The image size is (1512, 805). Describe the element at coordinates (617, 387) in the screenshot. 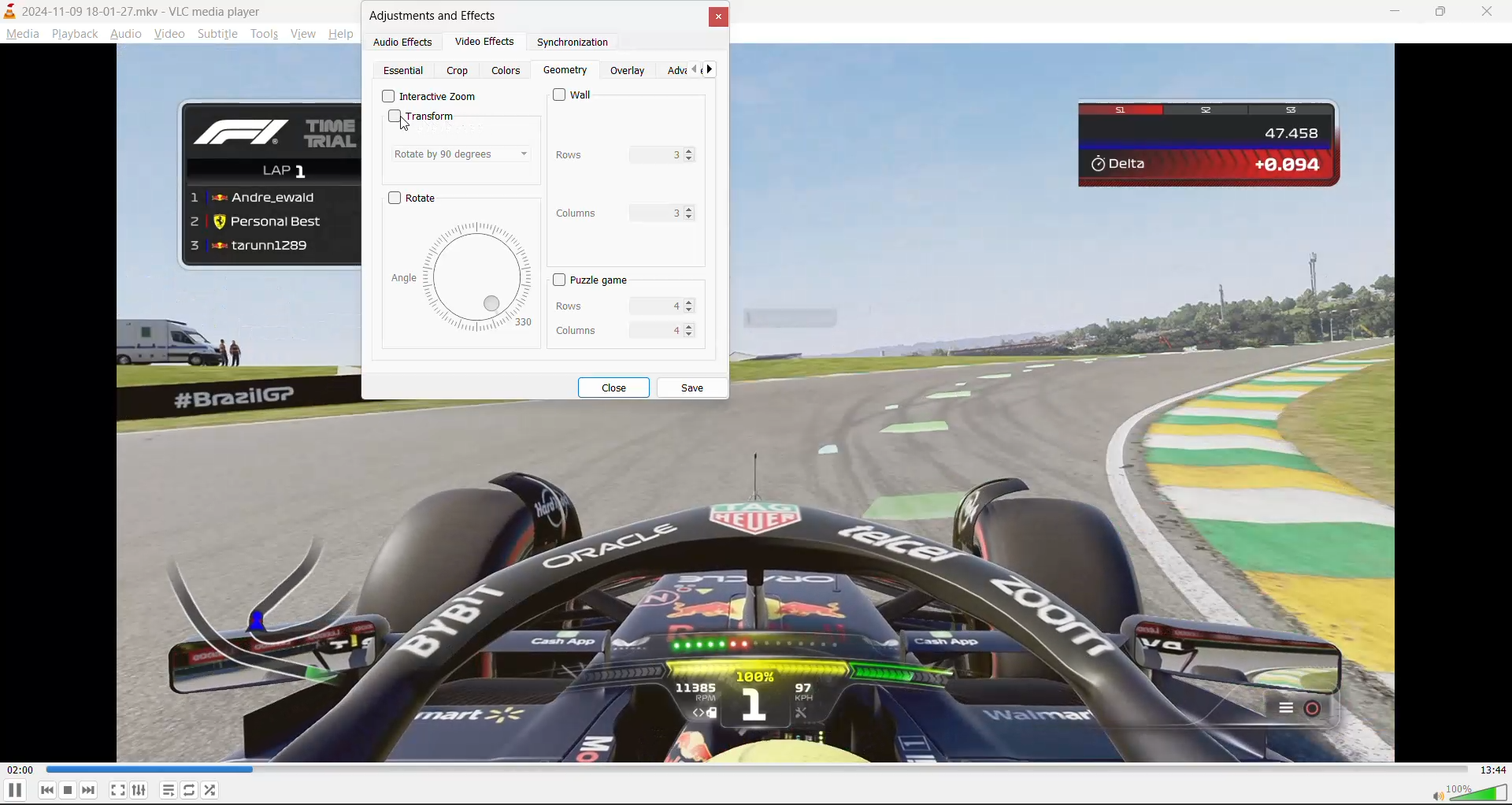

I see `close` at that location.